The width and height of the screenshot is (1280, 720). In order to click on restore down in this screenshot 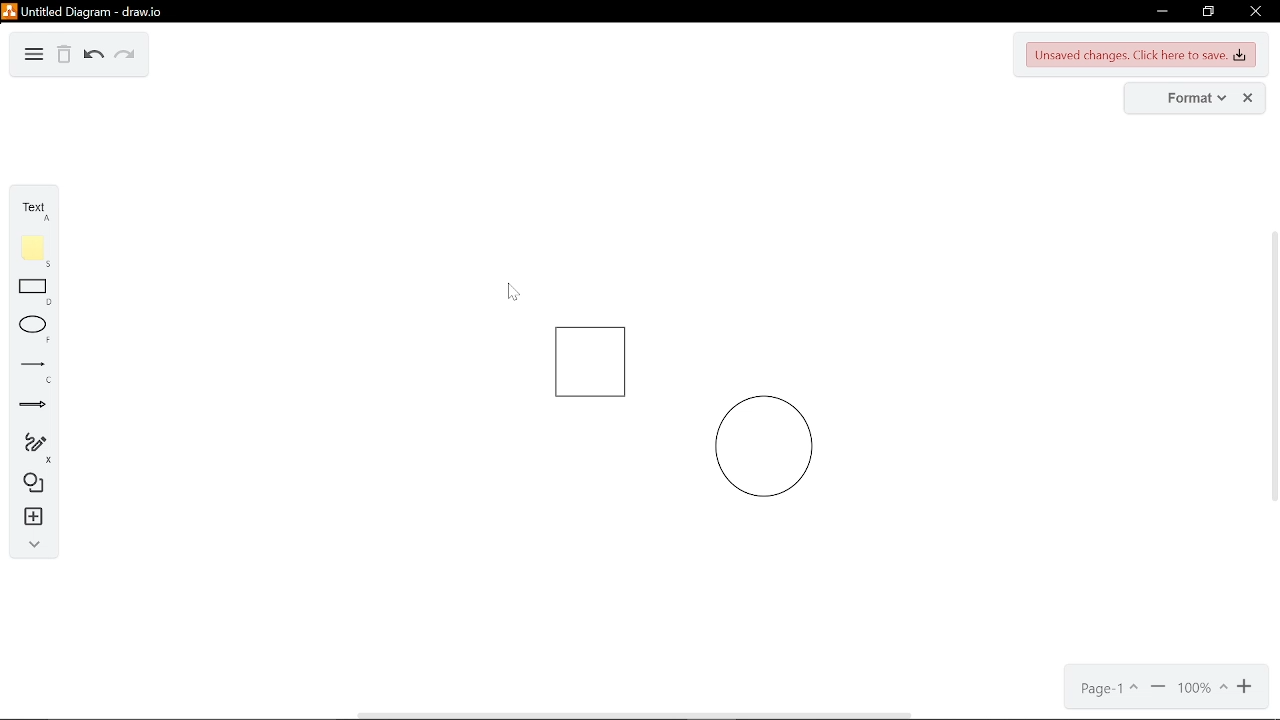, I will do `click(1210, 12)`.